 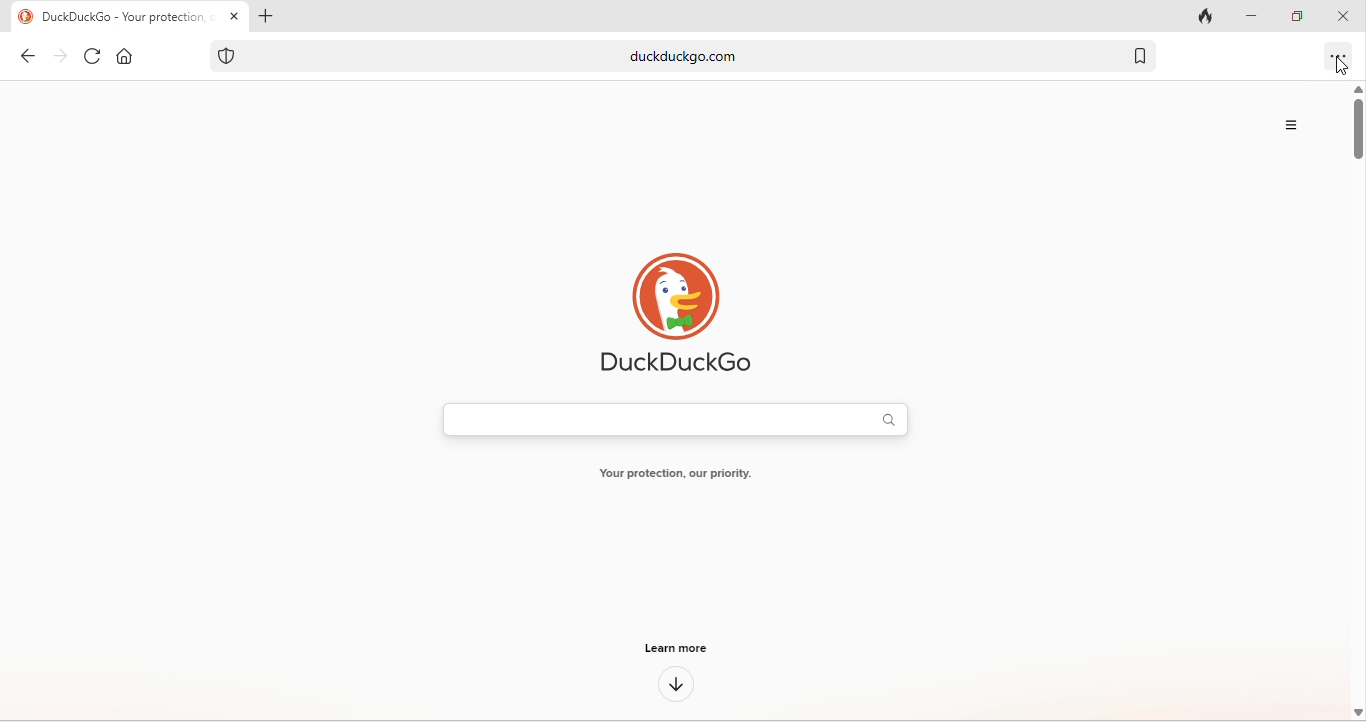 I want to click on search bar, so click(x=679, y=418).